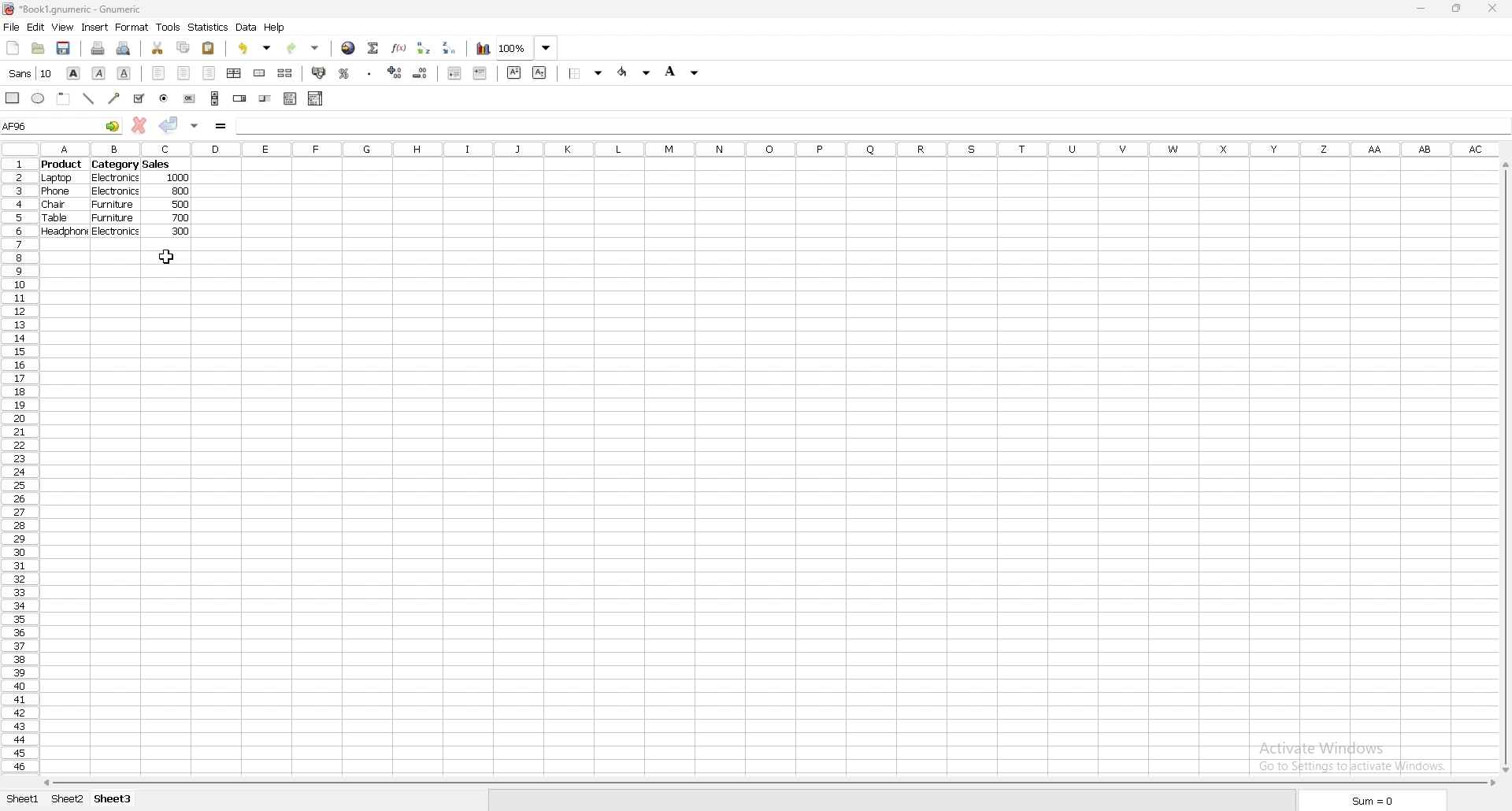 The image size is (1512, 811). I want to click on button, so click(189, 98).